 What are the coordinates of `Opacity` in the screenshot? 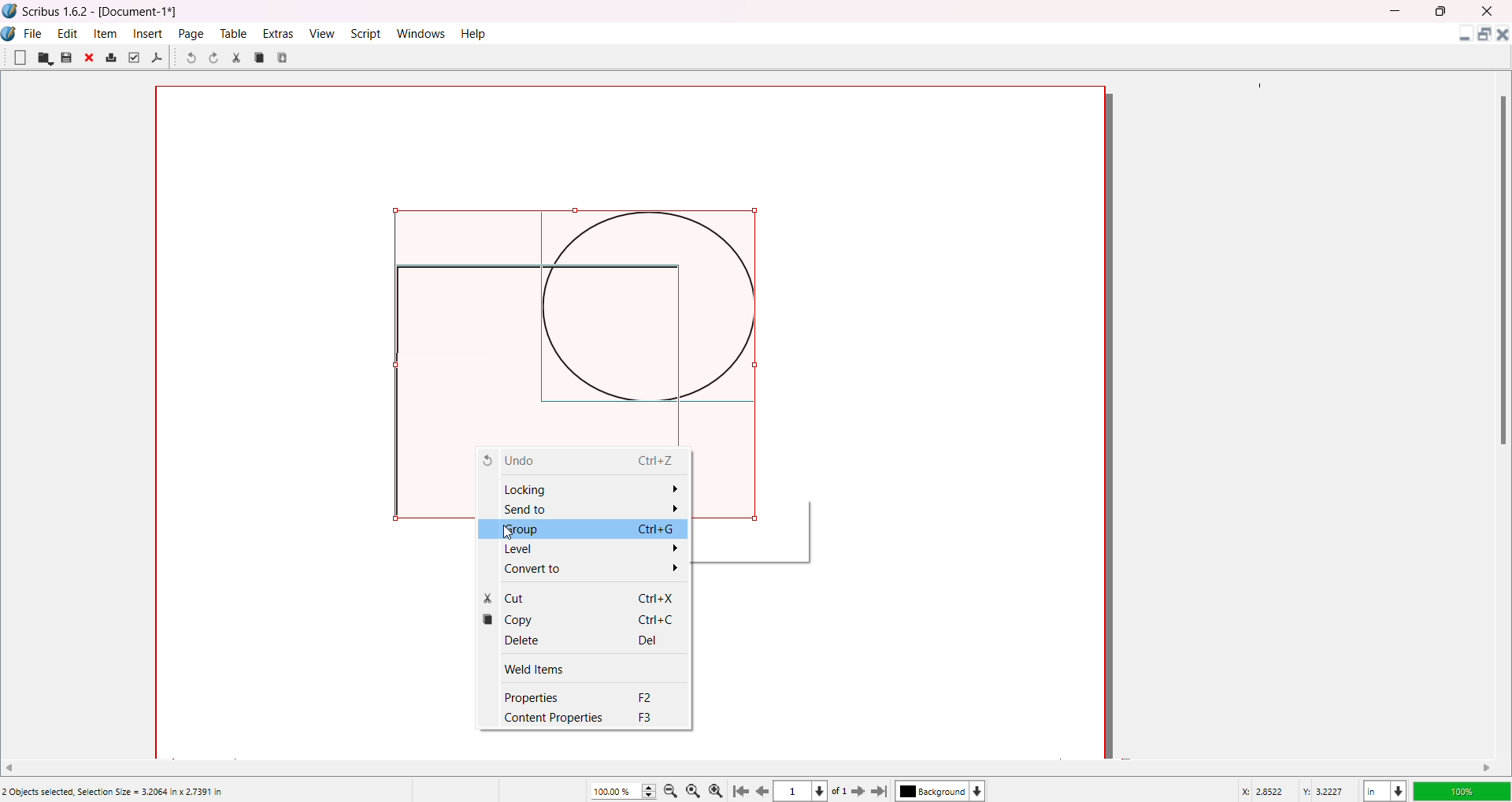 It's located at (1461, 789).